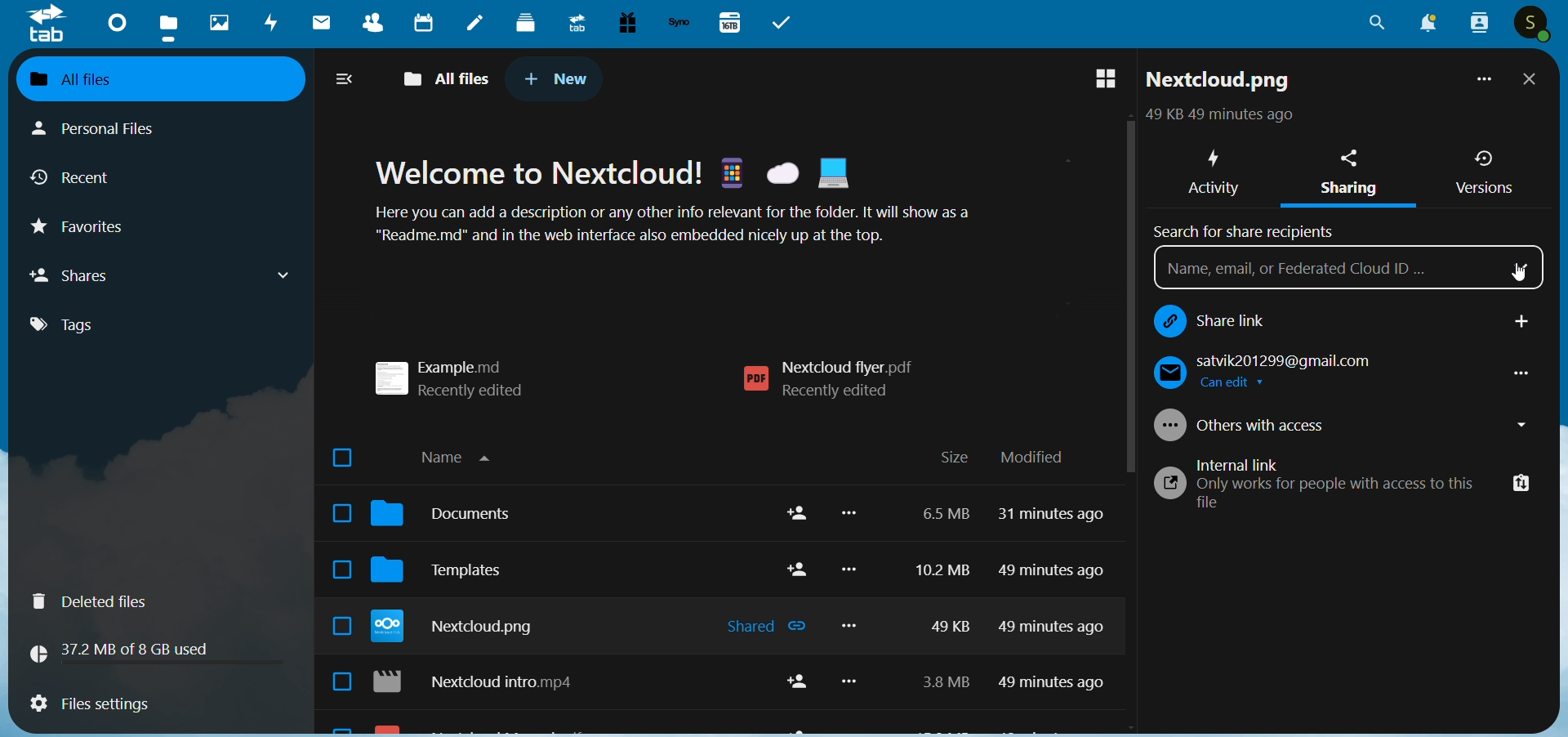 The image size is (1568, 737). I want to click on nextcloud png, so click(461, 629).